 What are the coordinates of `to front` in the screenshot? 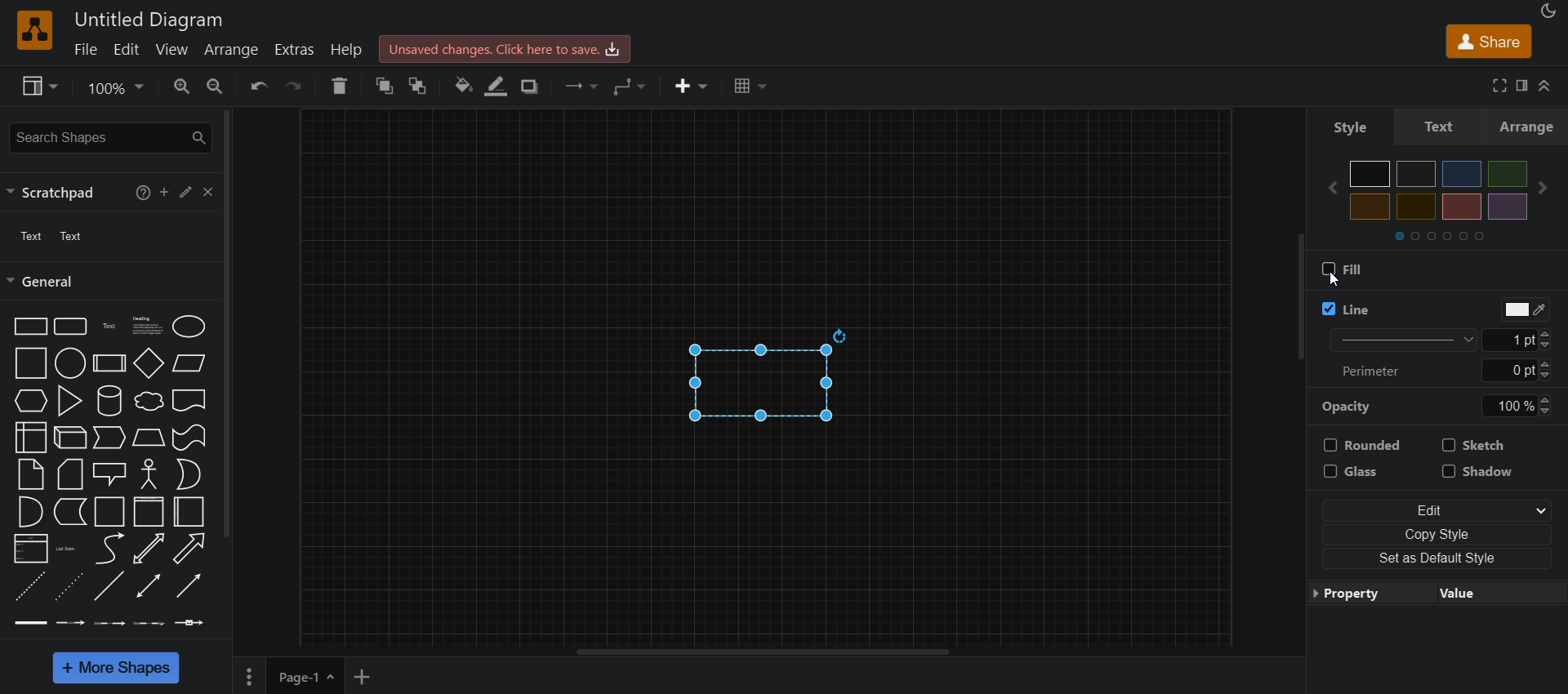 It's located at (420, 83).